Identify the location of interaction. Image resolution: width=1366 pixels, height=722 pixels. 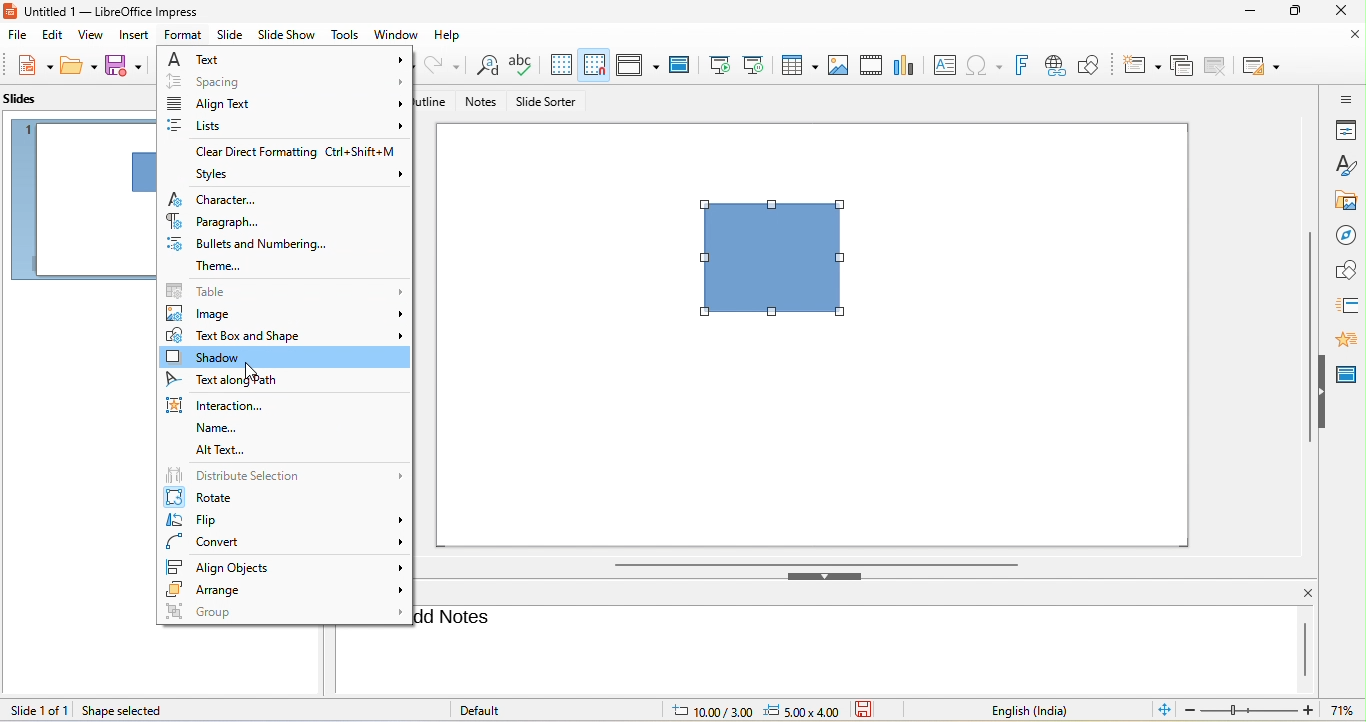
(226, 404).